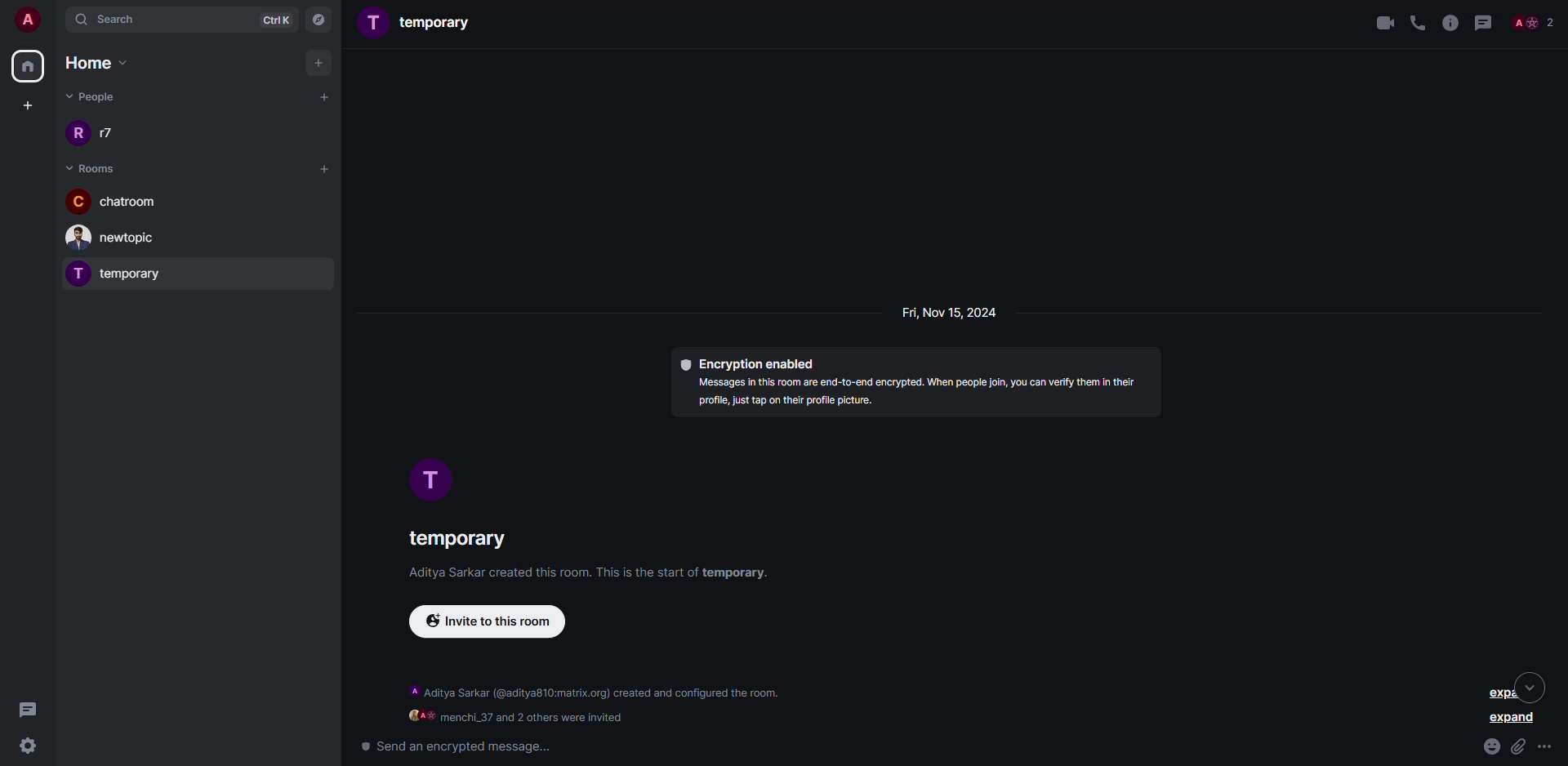 This screenshot has width=1568, height=766. Describe the element at coordinates (1449, 22) in the screenshot. I see `info` at that location.